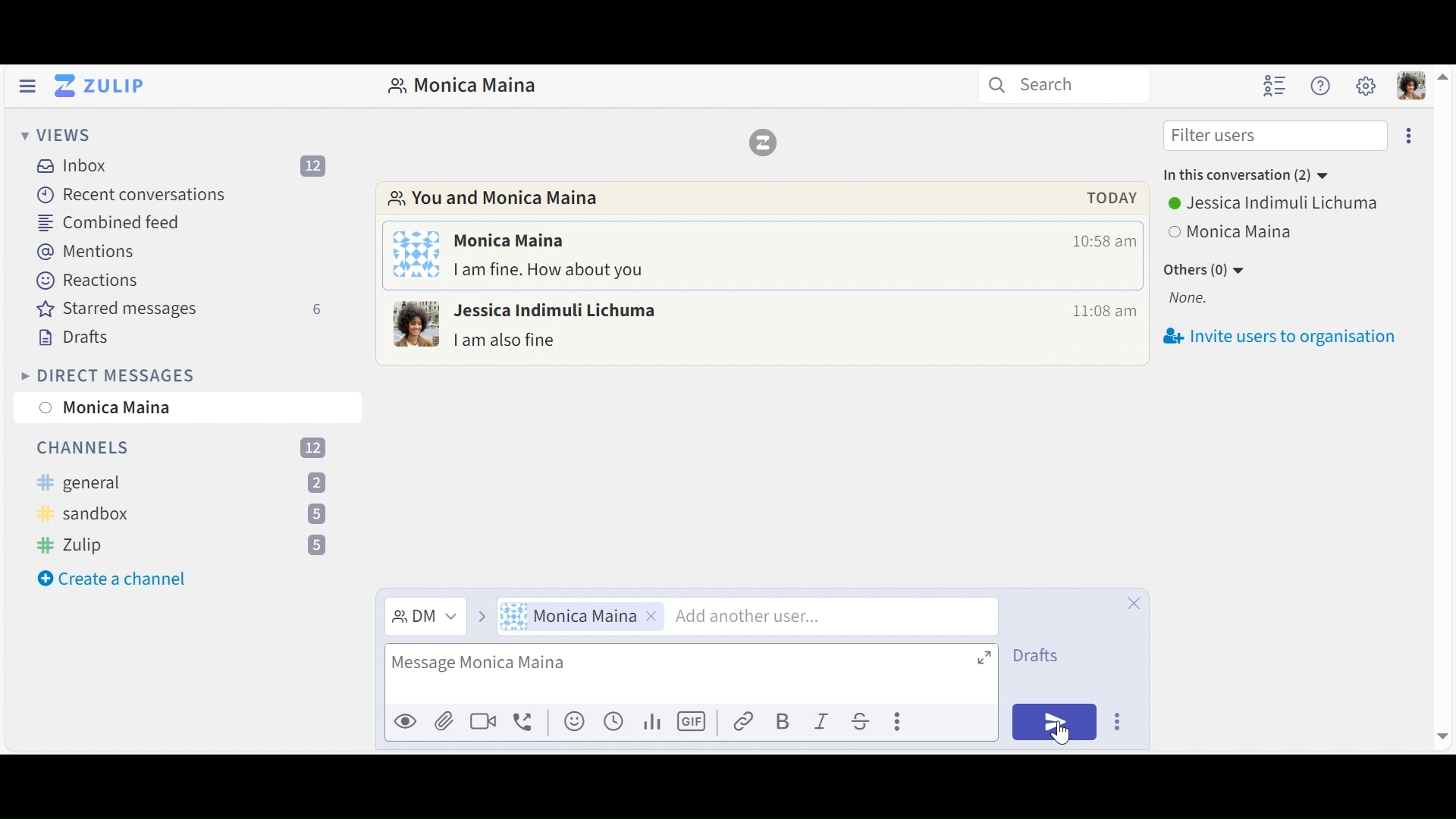 This screenshot has height=819, width=1456. I want to click on Strikethrough, so click(861, 720).